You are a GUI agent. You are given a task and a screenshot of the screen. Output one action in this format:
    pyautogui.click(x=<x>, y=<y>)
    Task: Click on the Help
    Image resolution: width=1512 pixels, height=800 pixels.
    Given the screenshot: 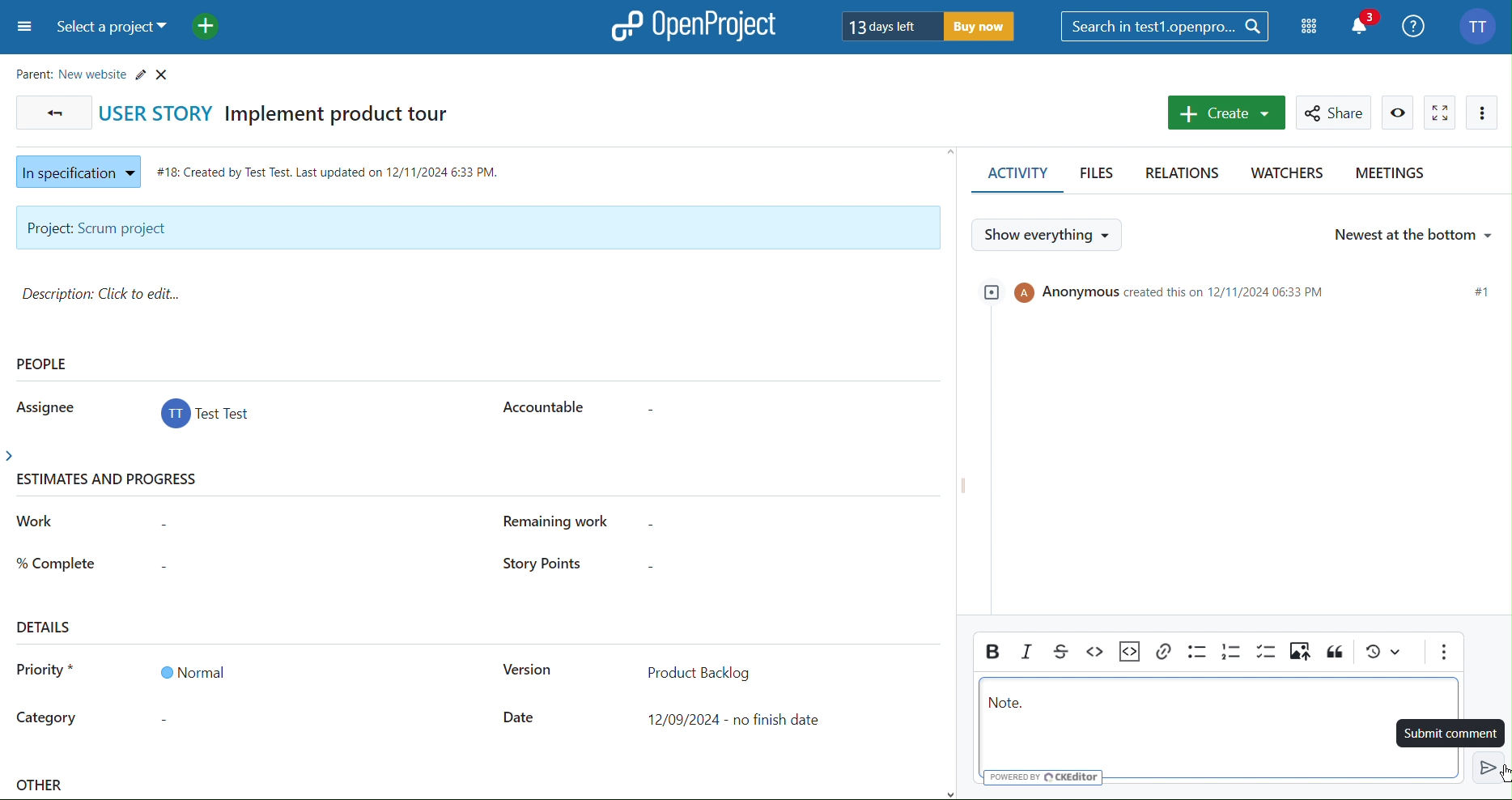 What is the action you would take?
    pyautogui.click(x=1415, y=24)
    